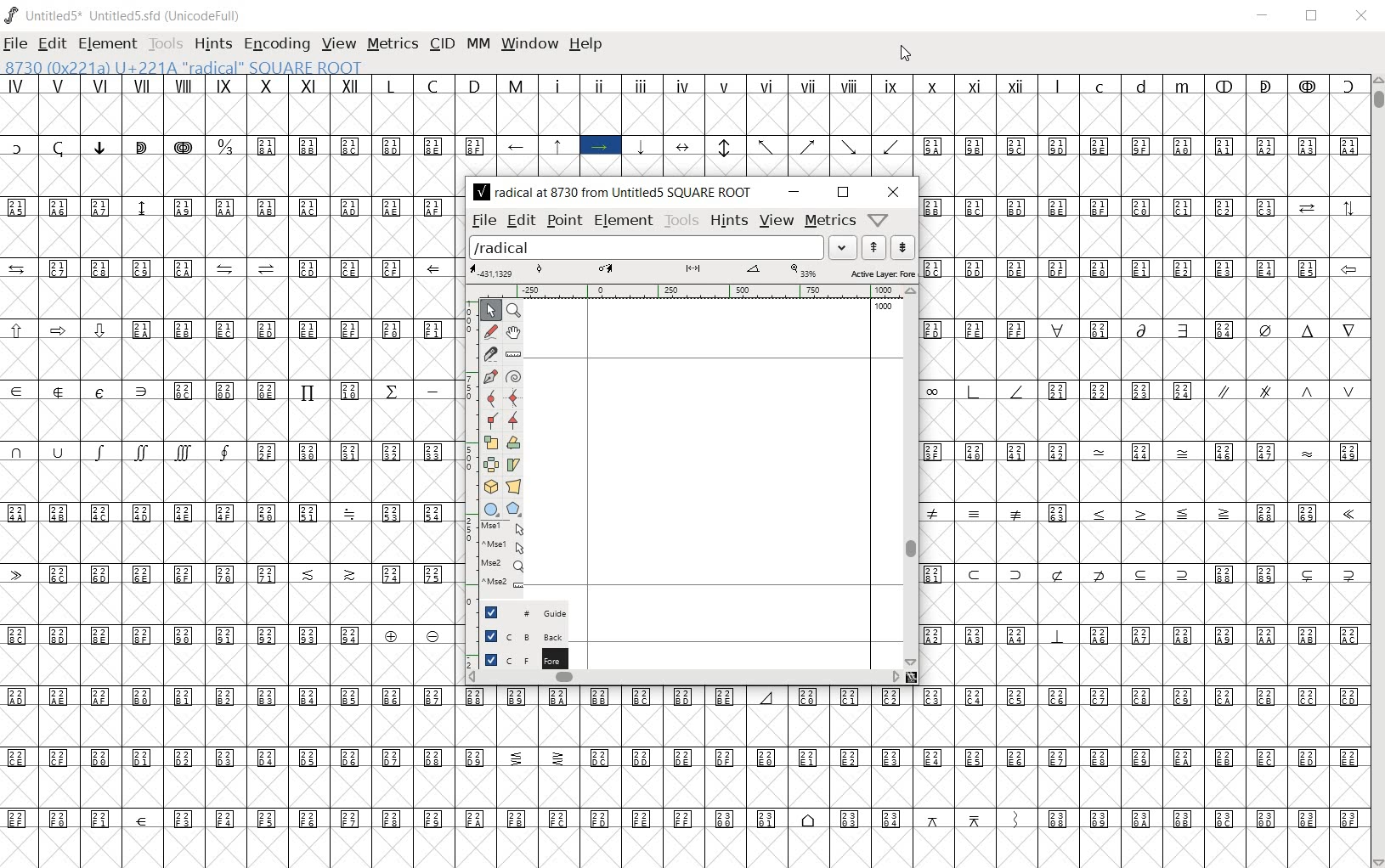 The height and width of the screenshot is (868, 1385). I want to click on Glyph characters, so click(1143, 440).